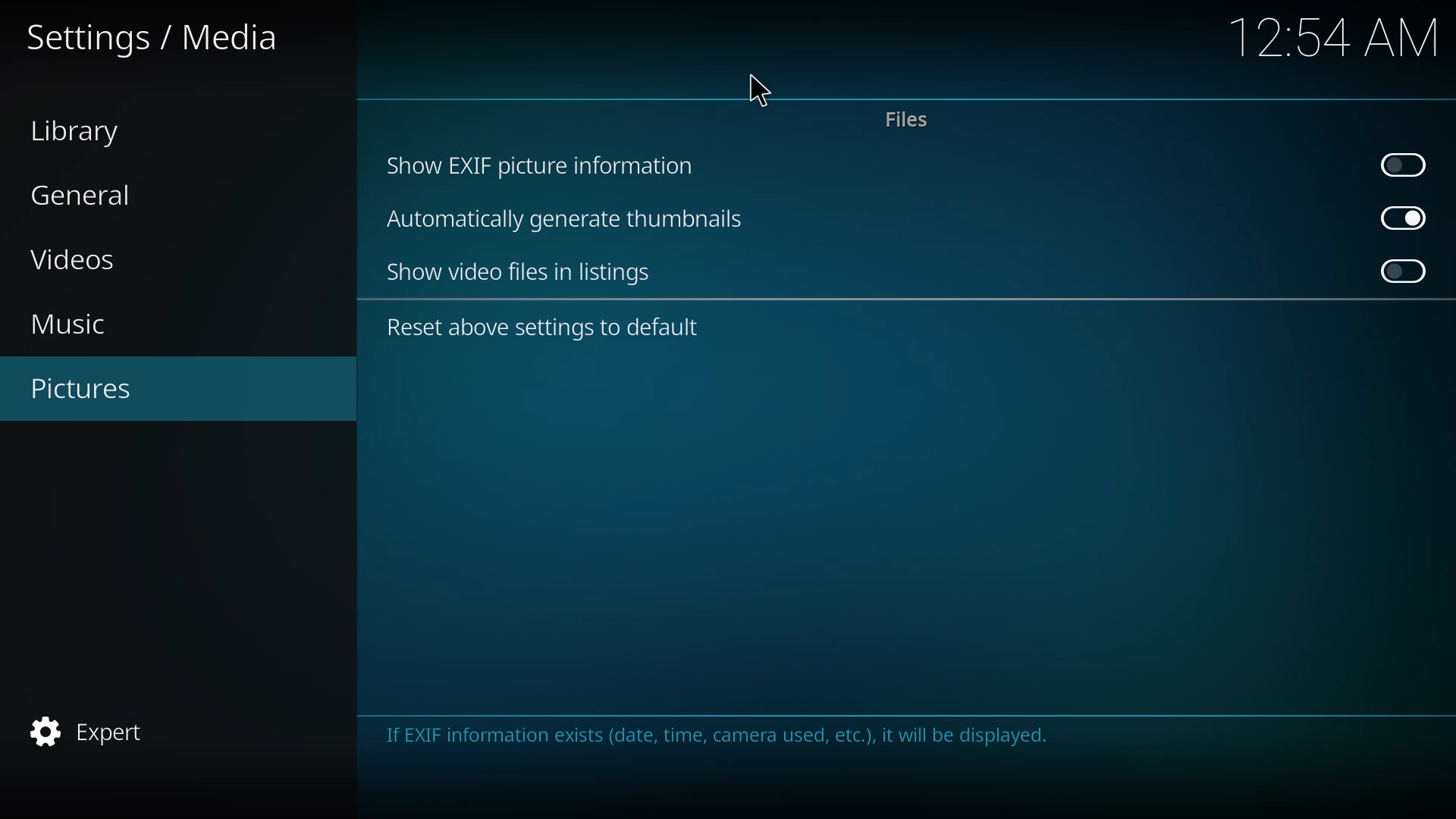 This screenshot has width=1456, height=819. I want to click on videos, so click(100, 261).